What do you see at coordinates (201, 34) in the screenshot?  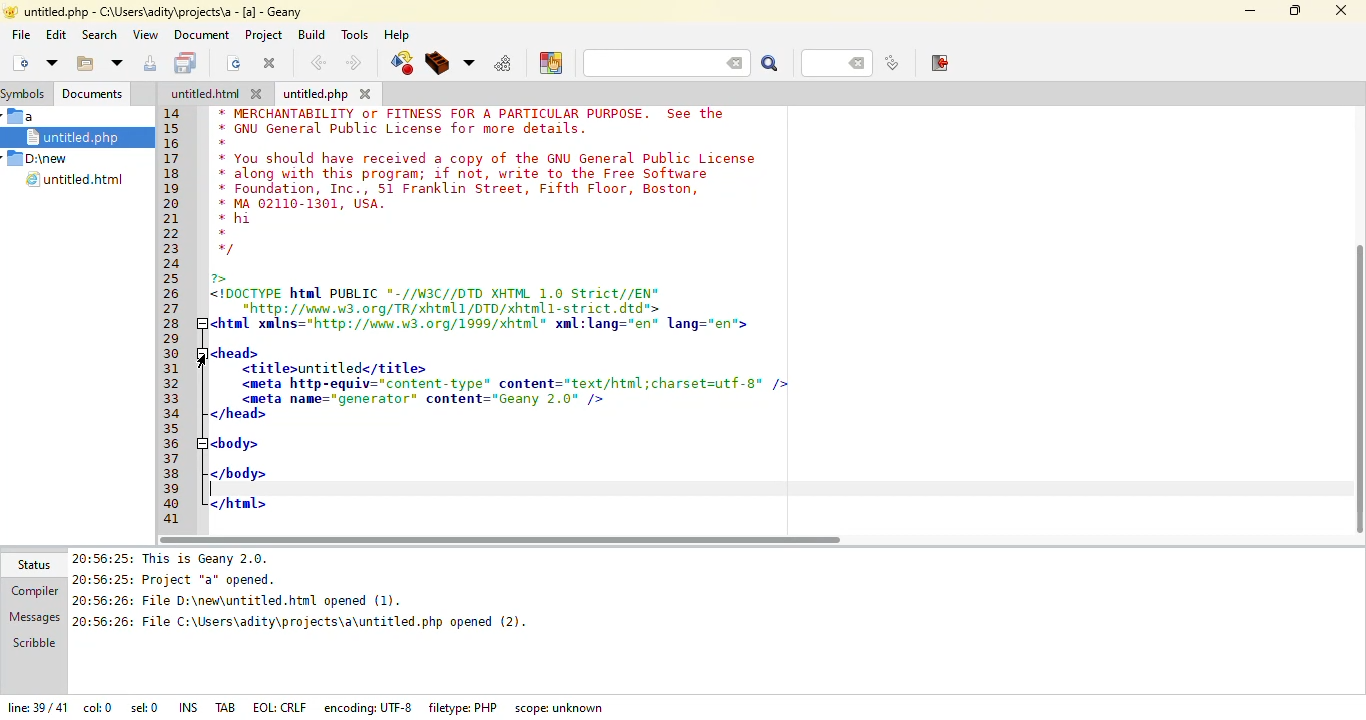 I see `document` at bounding box center [201, 34].